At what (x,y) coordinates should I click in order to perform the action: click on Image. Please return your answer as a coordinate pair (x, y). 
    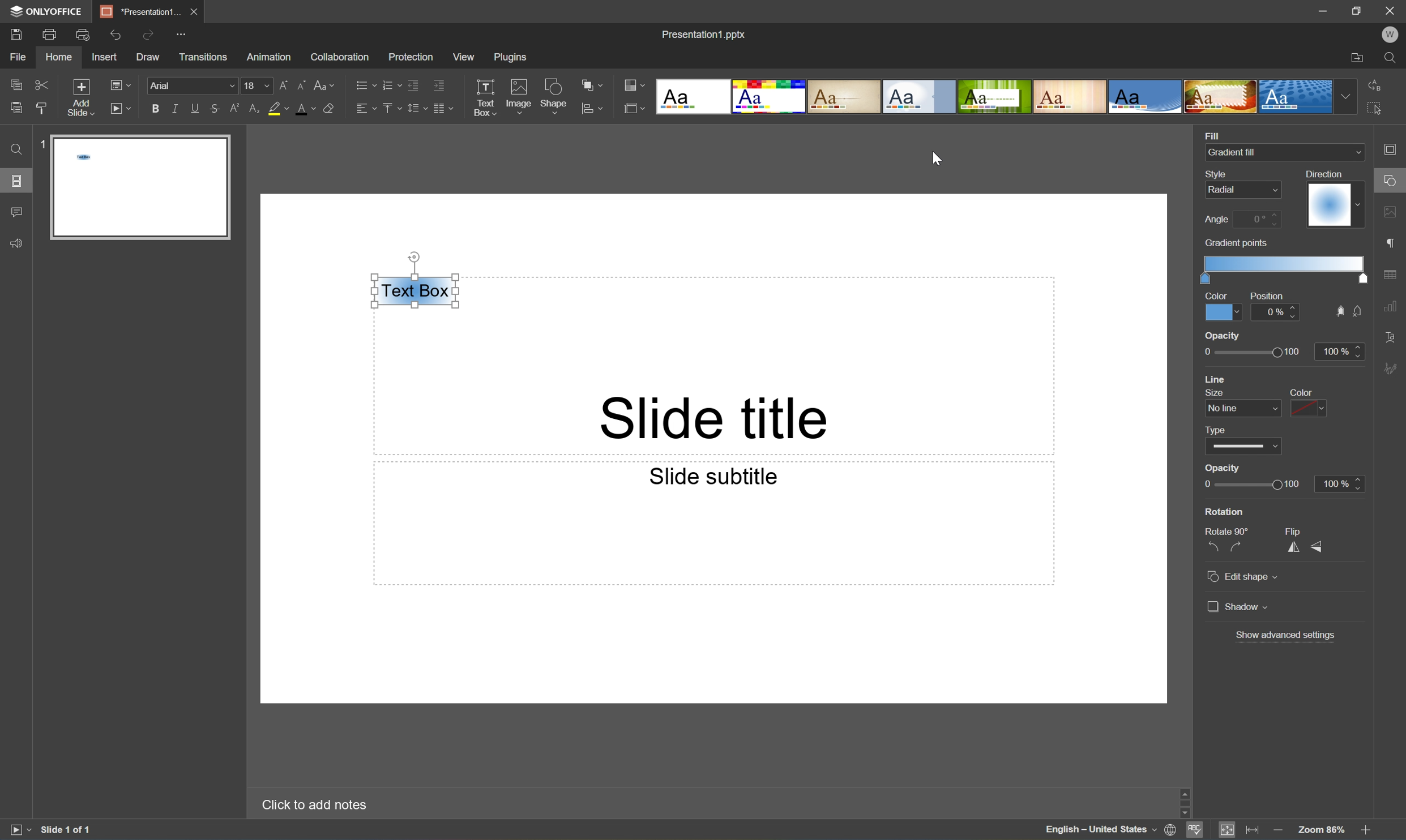
    Looking at the image, I should click on (519, 96).